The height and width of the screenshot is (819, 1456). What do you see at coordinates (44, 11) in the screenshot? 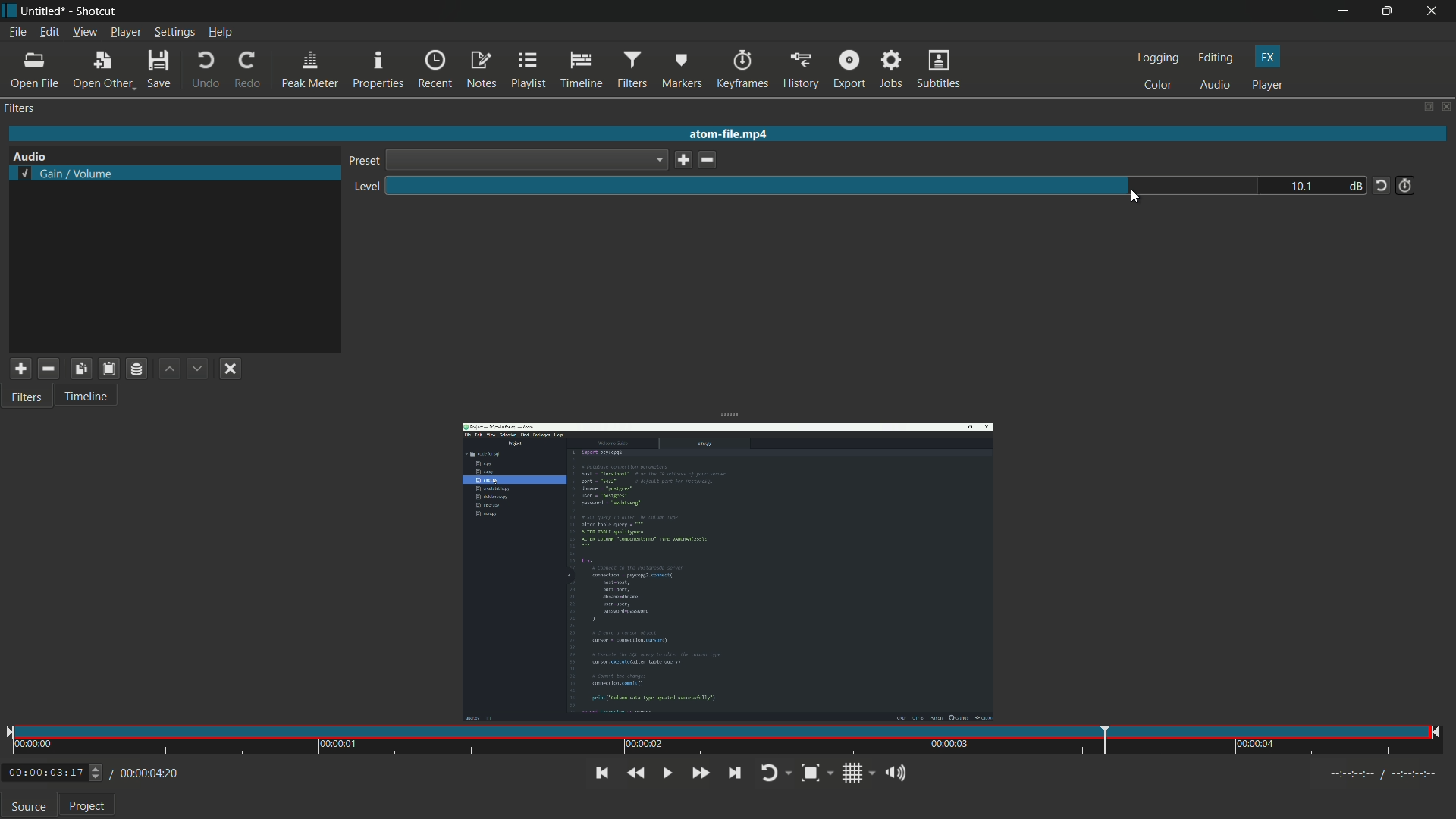
I see `Untitled (file name)` at bounding box center [44, 11].